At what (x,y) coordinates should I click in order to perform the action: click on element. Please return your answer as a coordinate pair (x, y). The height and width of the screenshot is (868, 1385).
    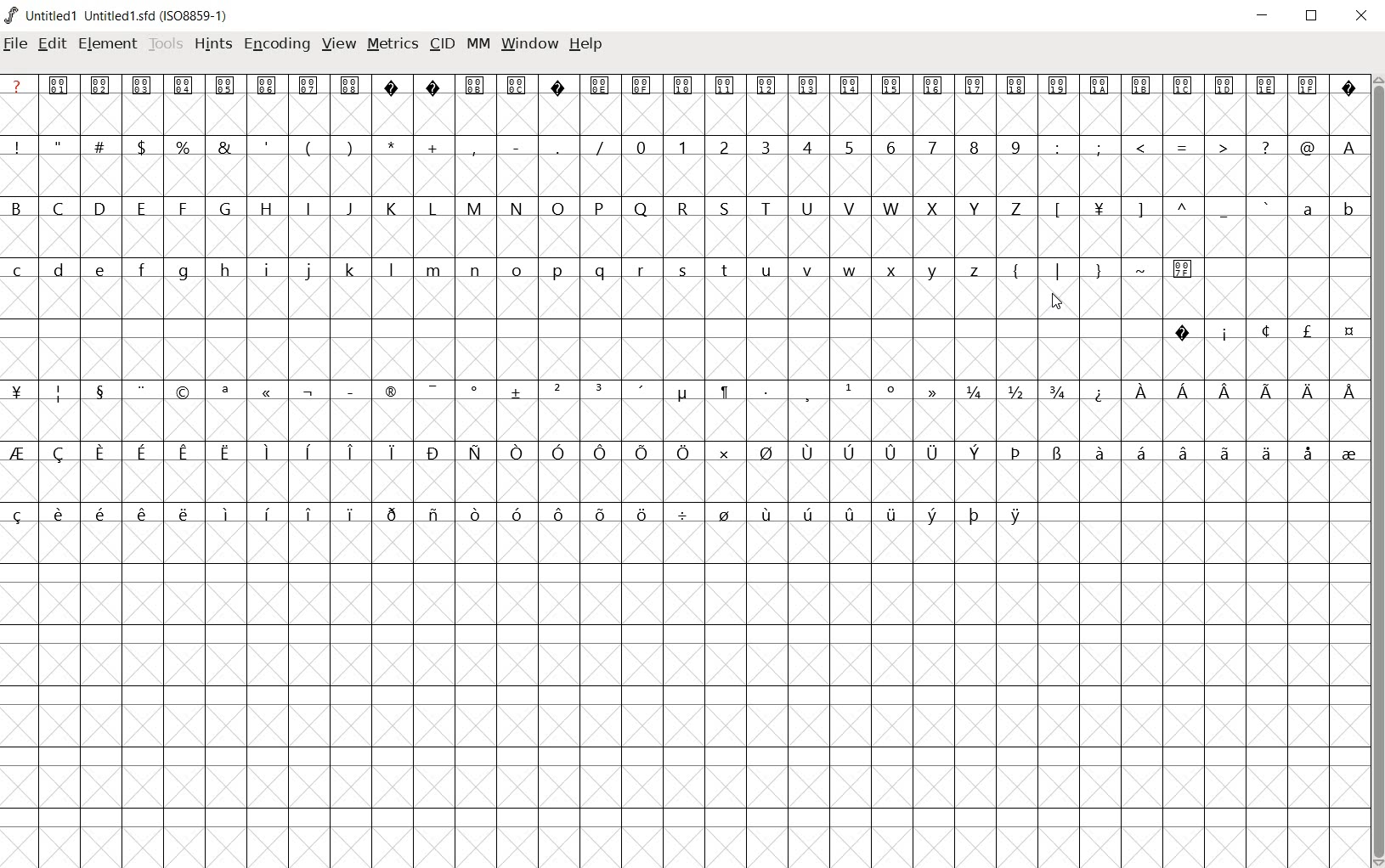
    Looking at the image, I should click on (107, 47).